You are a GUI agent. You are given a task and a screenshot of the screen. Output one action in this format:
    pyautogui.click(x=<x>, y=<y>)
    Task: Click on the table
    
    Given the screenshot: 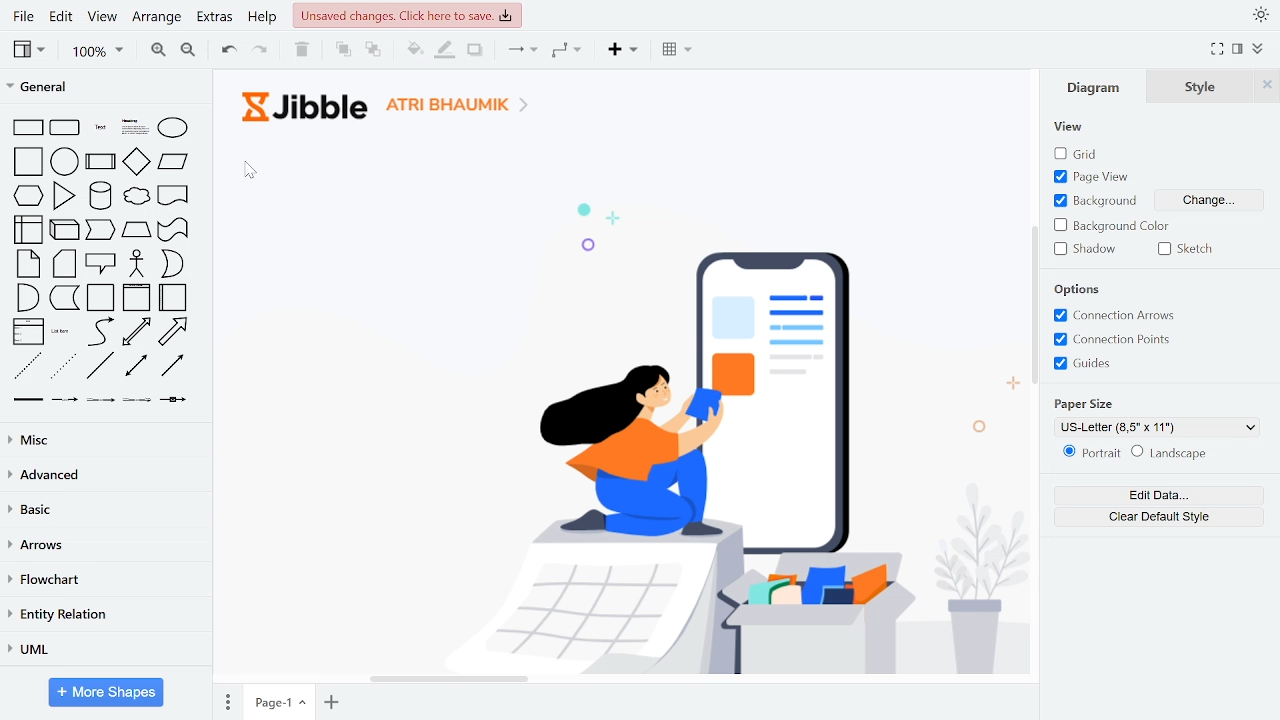 What is the action you would take?
    pyautogui.click(x=676, y=50)
    